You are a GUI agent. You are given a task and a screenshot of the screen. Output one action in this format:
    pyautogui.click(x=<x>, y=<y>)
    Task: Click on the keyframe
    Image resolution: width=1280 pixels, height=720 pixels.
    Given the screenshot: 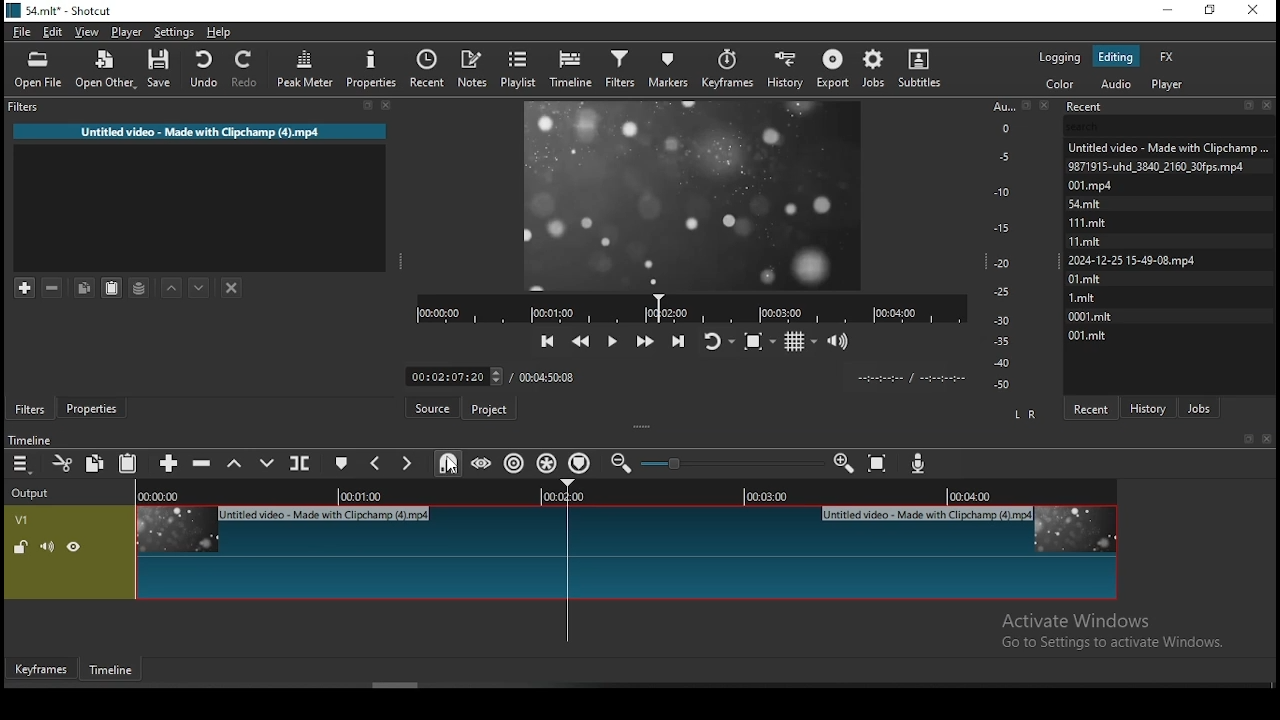 What is the action you would take?
    pyautogui.click(x=40, y=670)
    